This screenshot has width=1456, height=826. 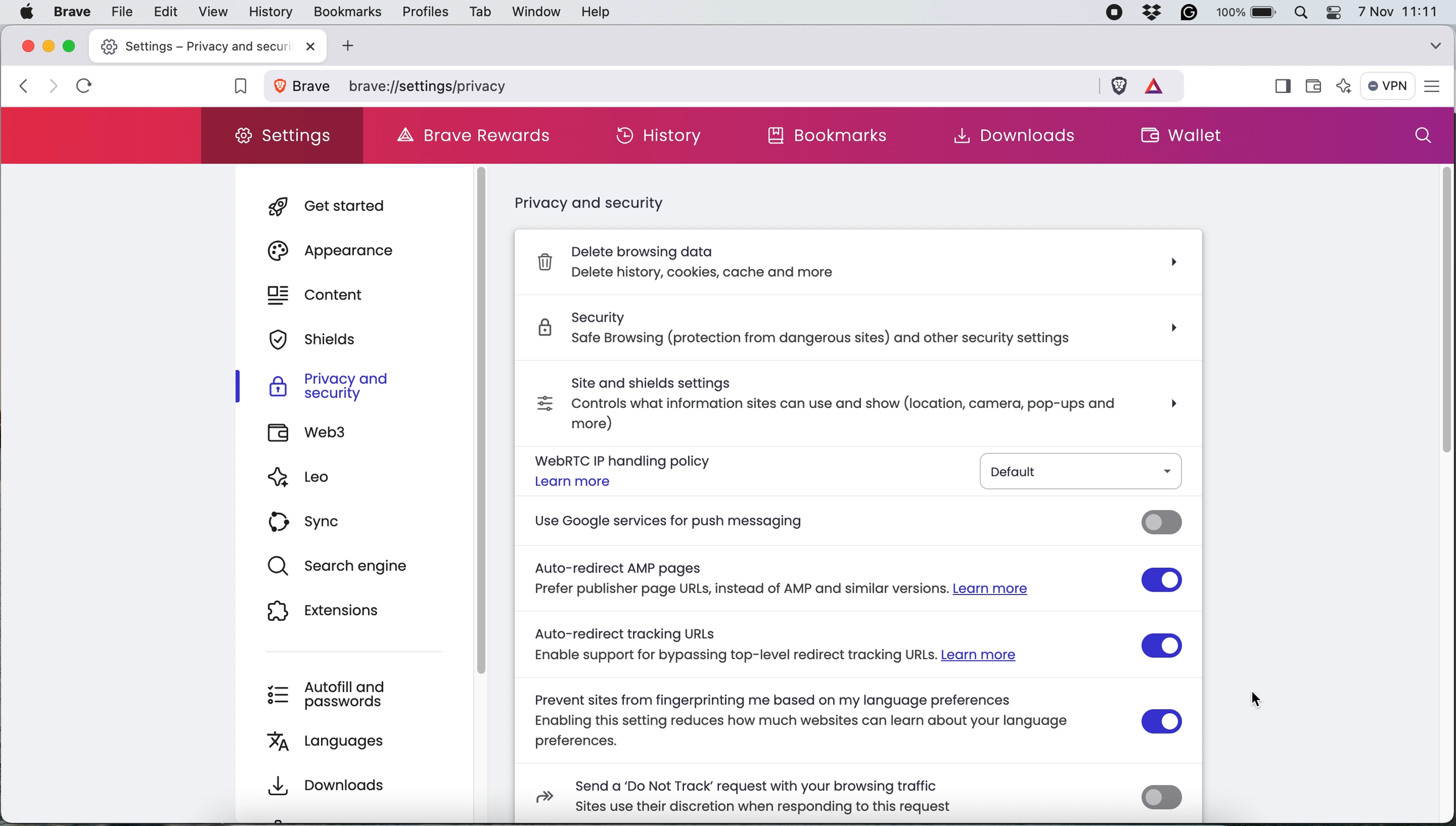 I want to click on dropbox, so click(x=1157, y=13).